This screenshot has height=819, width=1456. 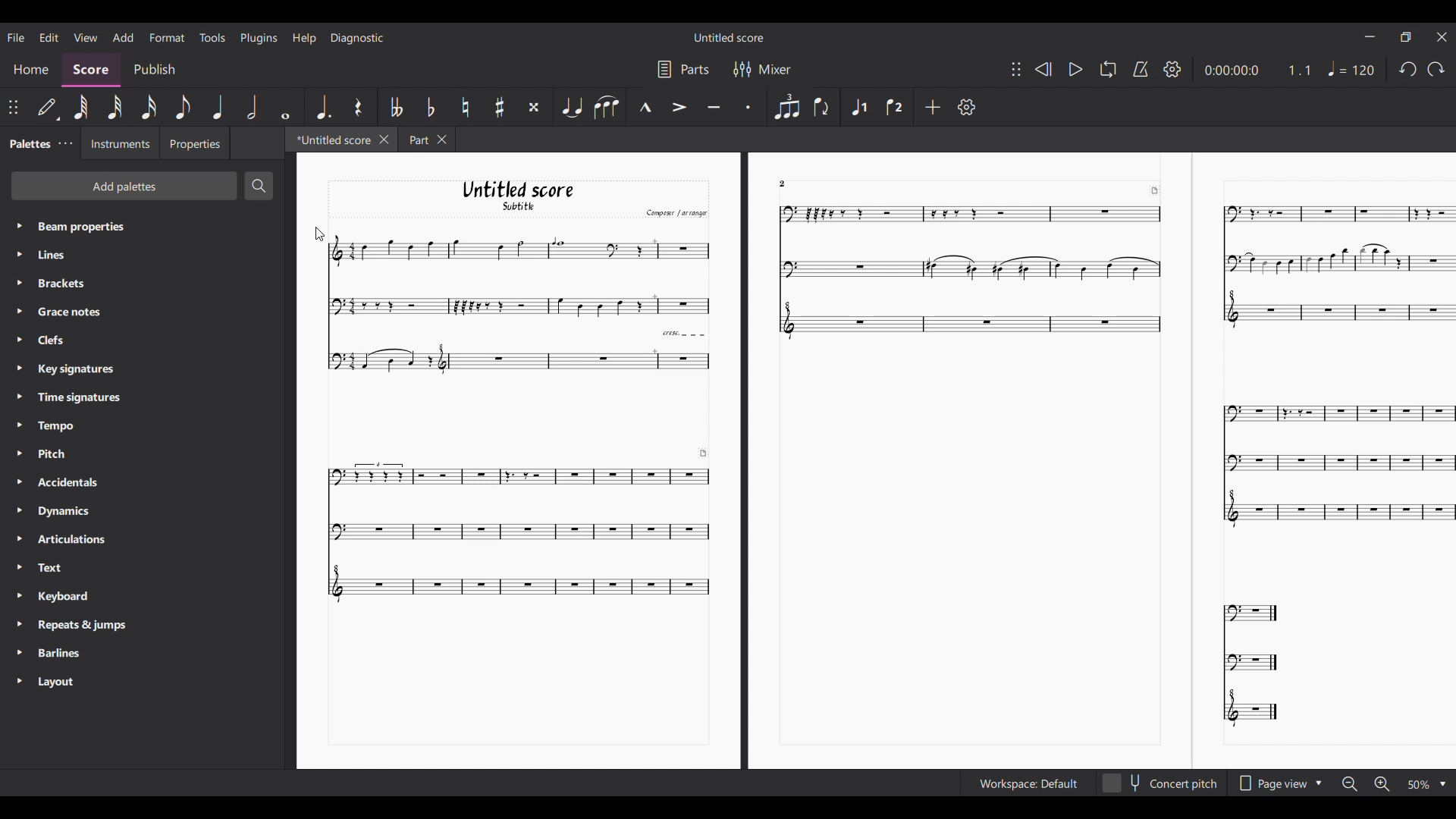 What do you see at coordinates (358, 106) in the screenshot?
I see `Rest` at bounding box center [358, 106].